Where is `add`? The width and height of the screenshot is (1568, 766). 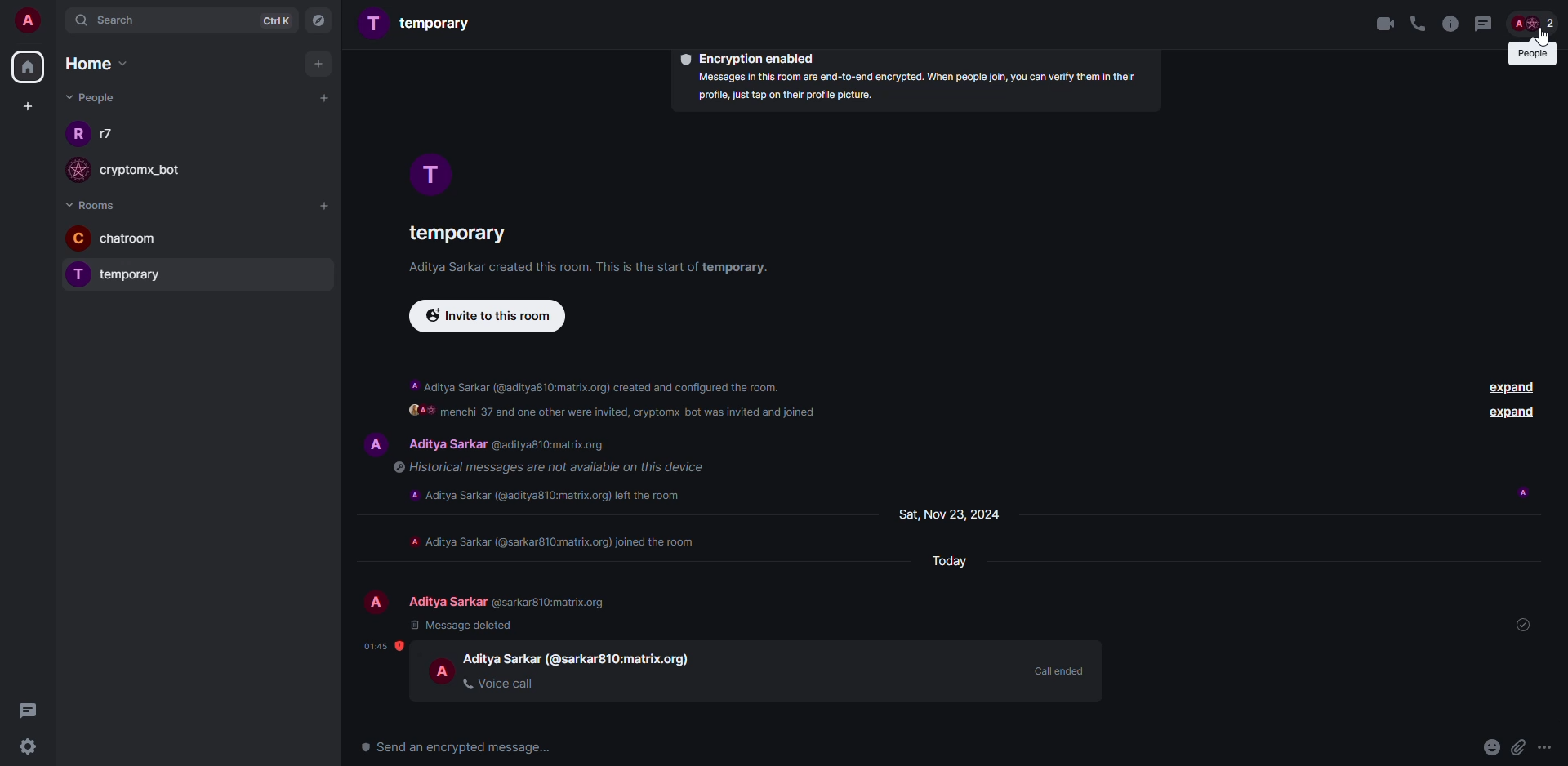
add is located at coordinates (318, 65).